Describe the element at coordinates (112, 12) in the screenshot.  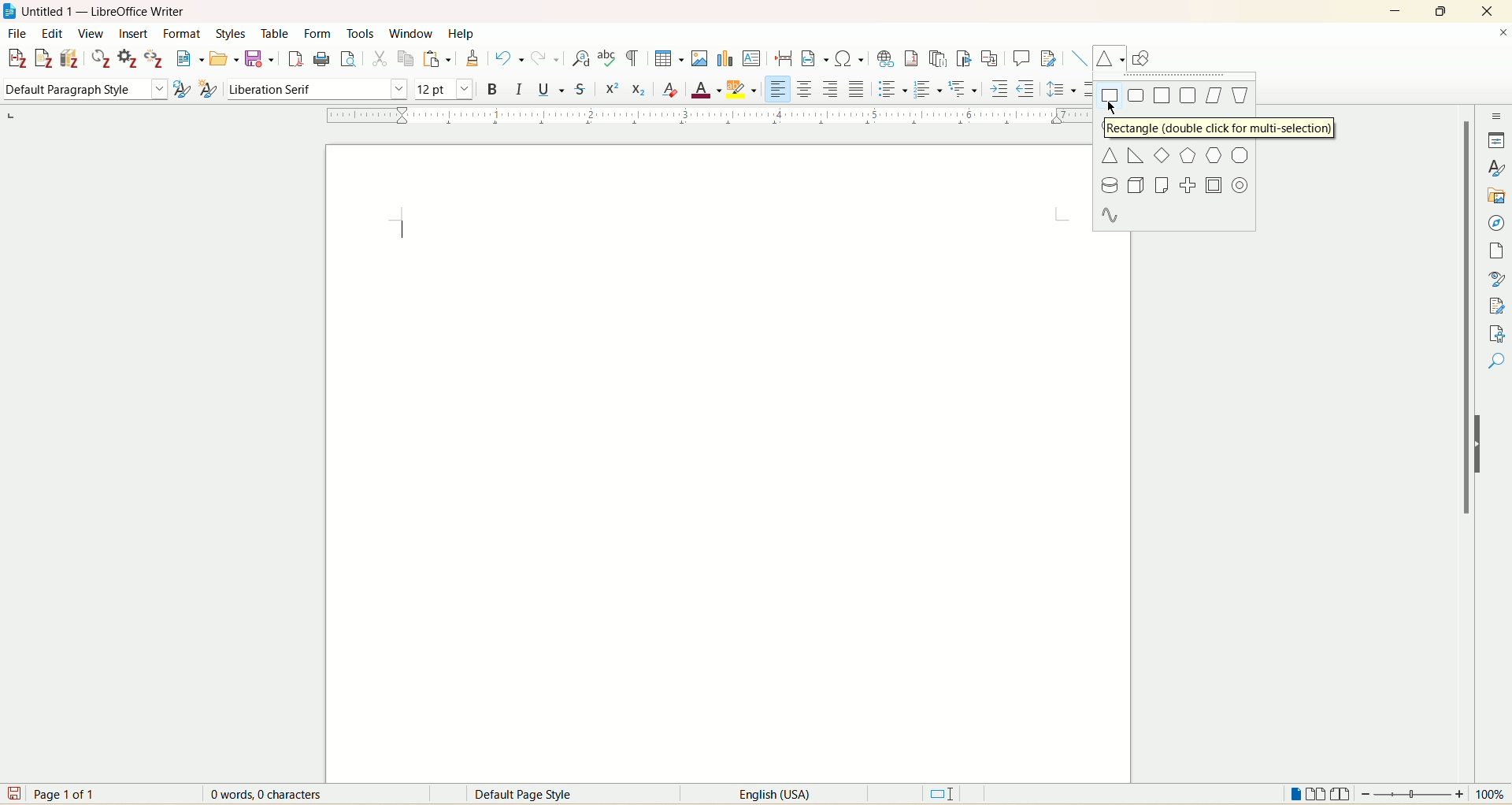
I see `document name` at that location.